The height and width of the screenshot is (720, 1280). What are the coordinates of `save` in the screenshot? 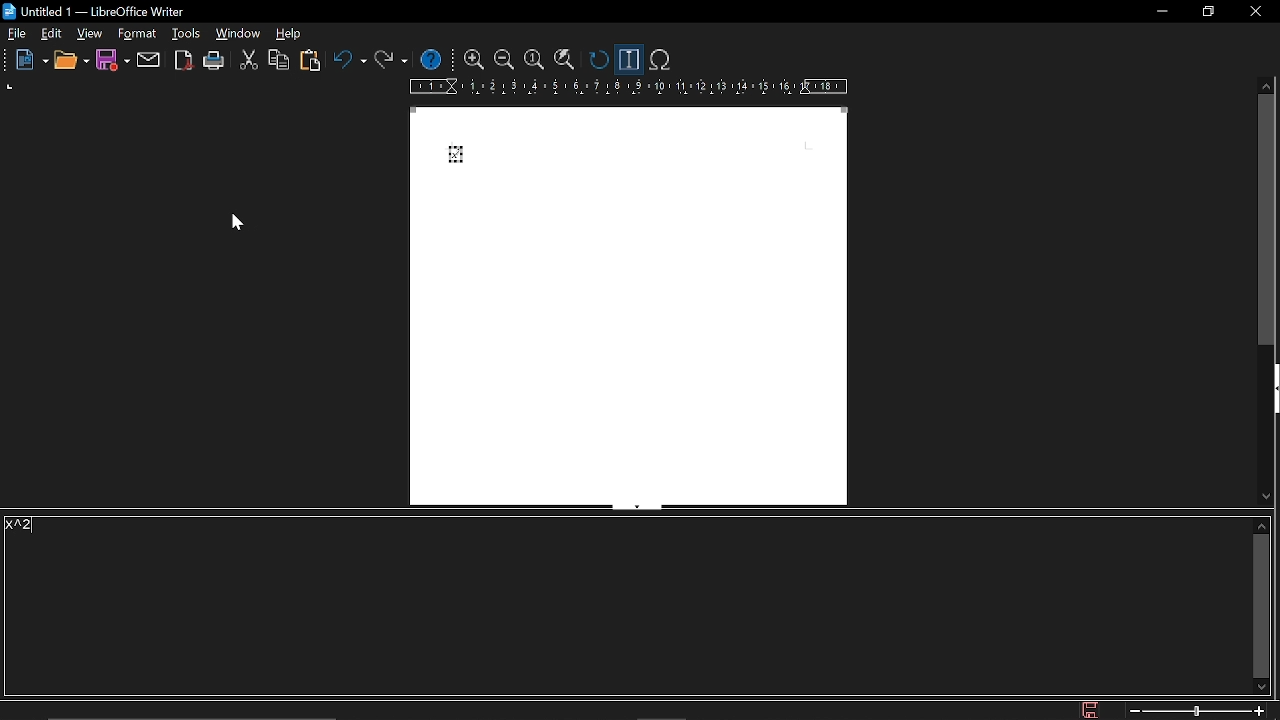 It's located at (112, 61).